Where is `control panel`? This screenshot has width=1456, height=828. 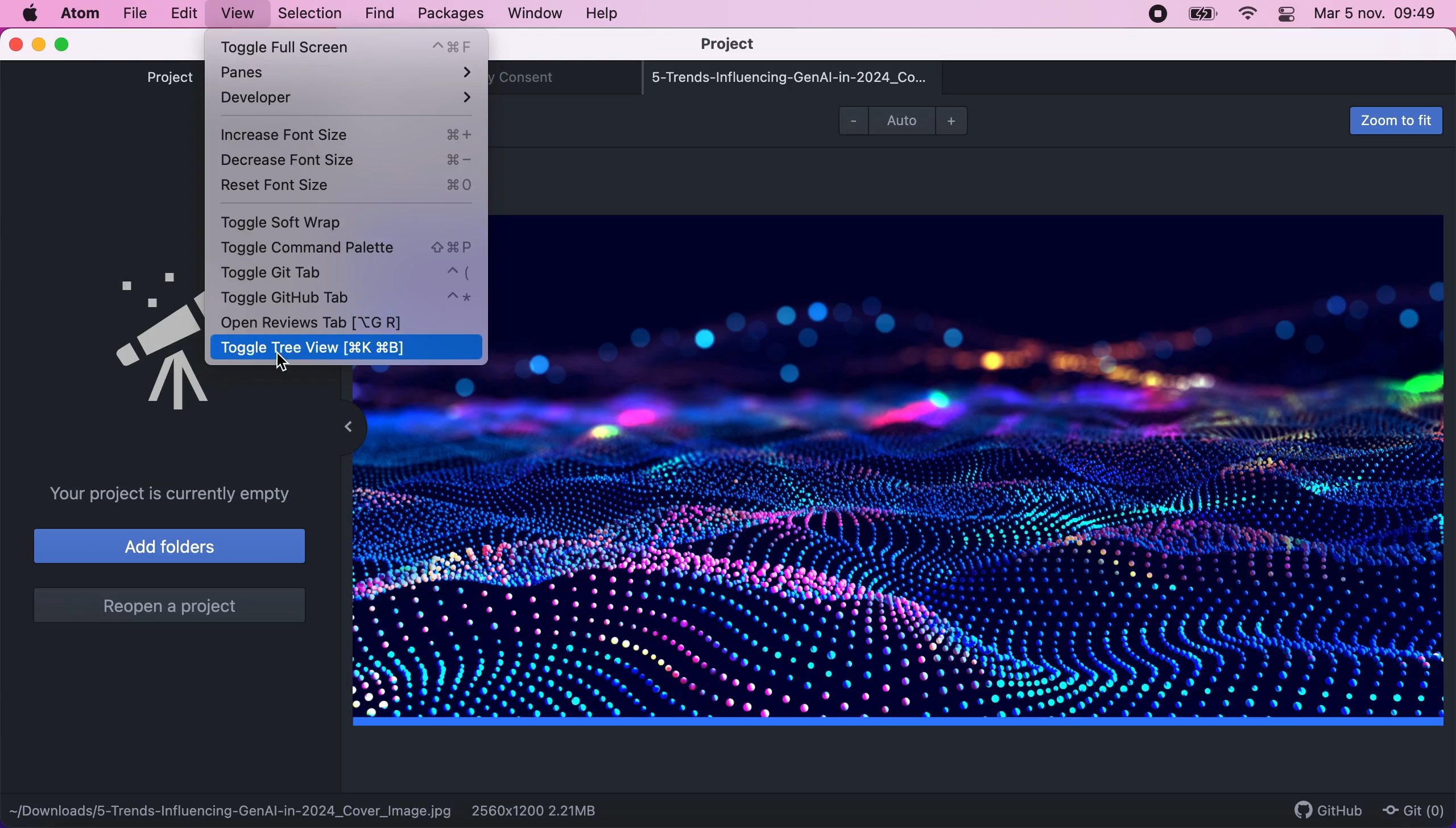
control panel is located at coordinates (1287, 16).